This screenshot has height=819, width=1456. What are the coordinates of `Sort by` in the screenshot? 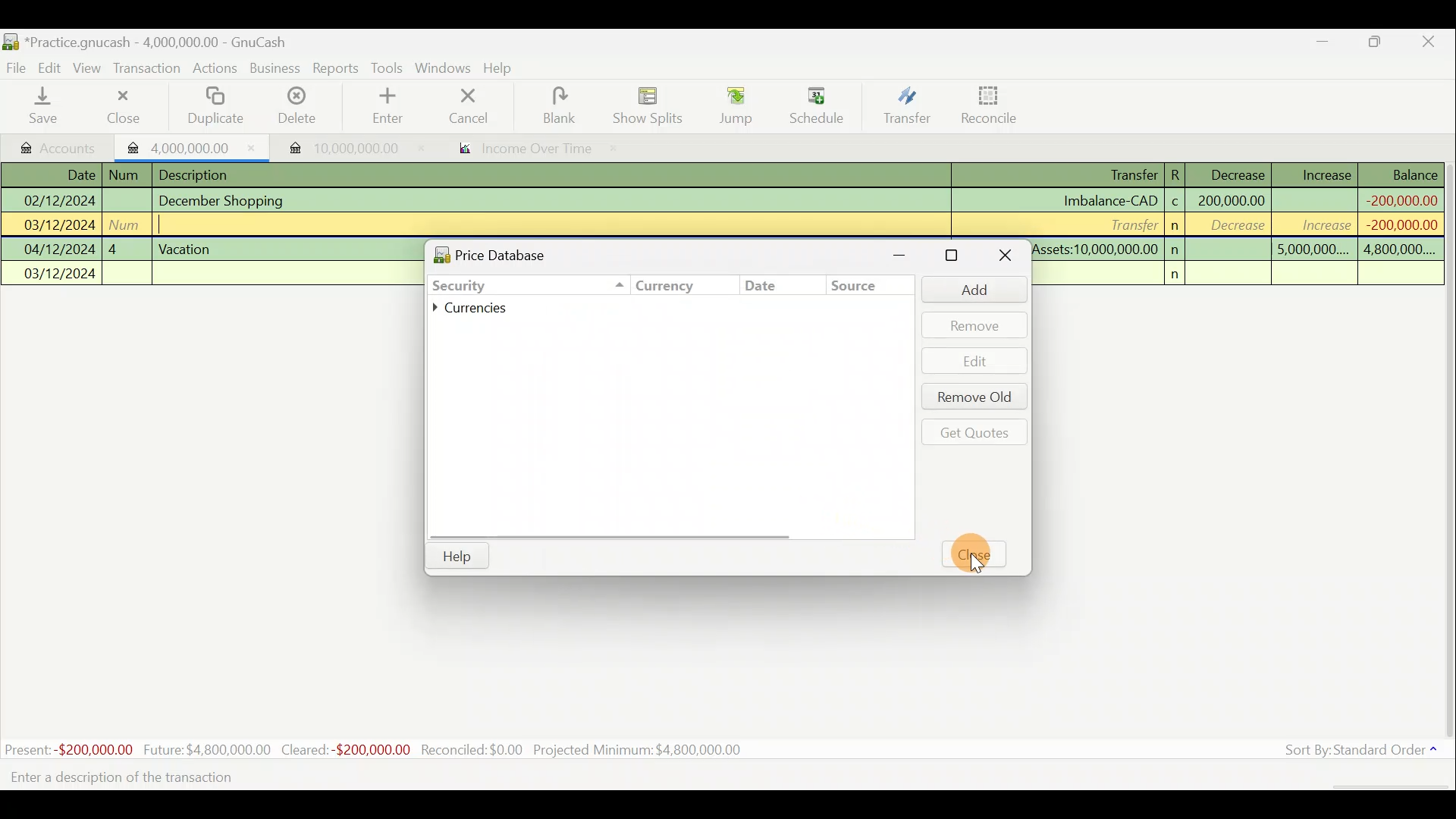 It's located at (1354, 752).